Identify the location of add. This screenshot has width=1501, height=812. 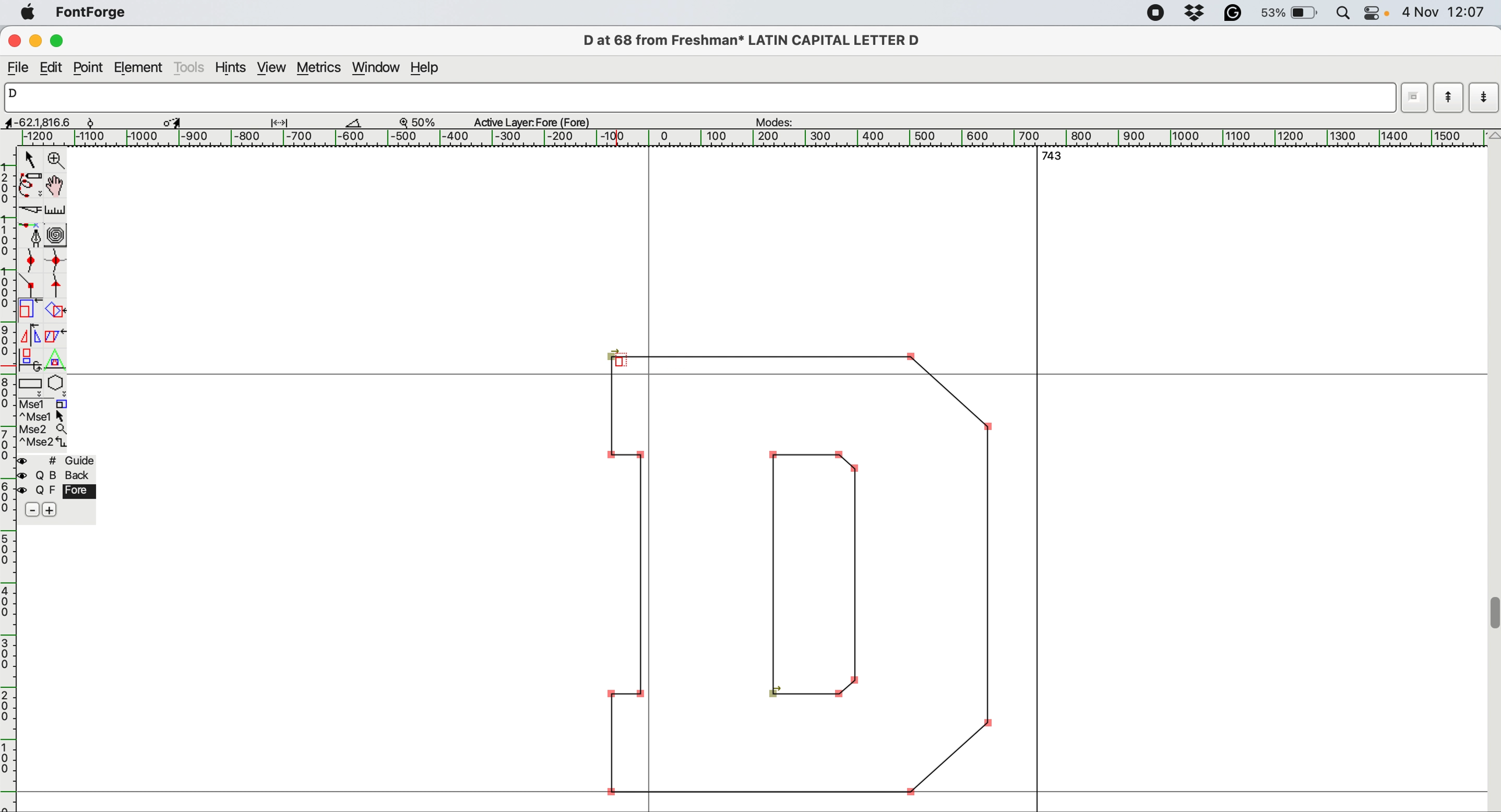
(51, 510).